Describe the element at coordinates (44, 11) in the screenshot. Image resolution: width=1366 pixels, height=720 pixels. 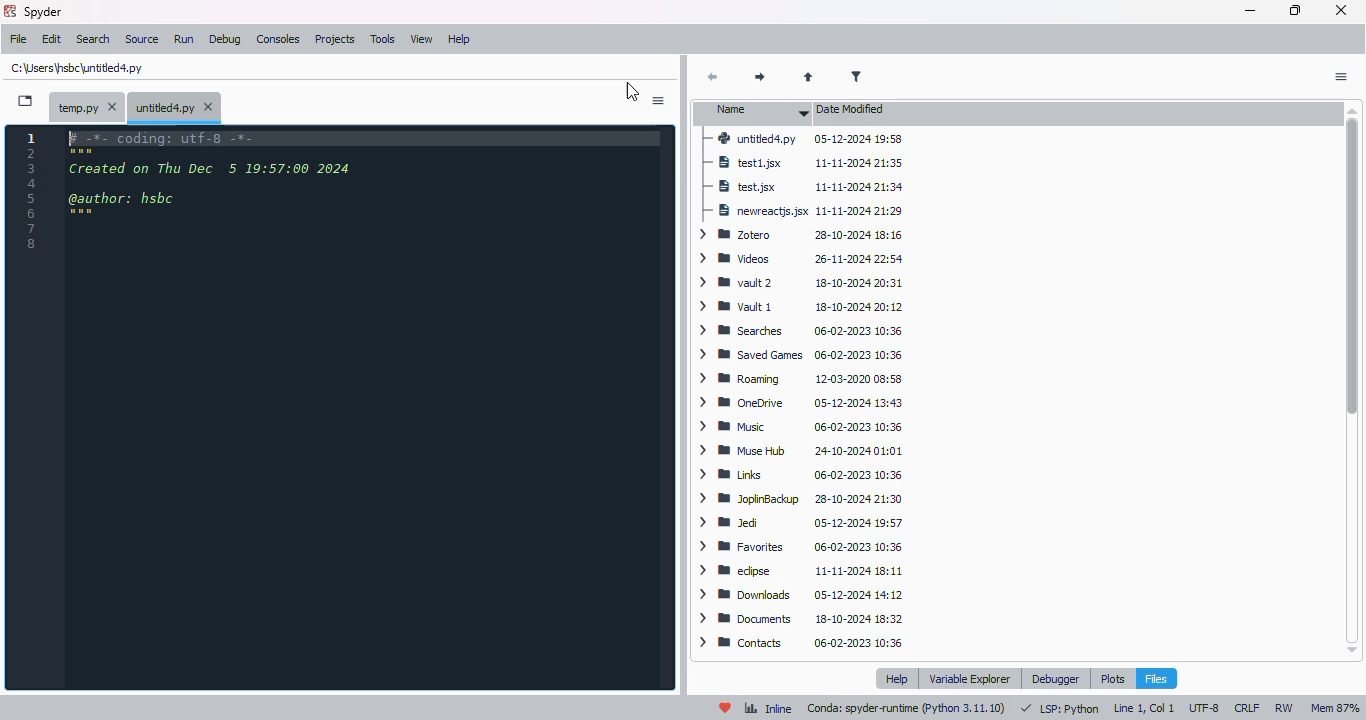
I see `spyder` at that location.